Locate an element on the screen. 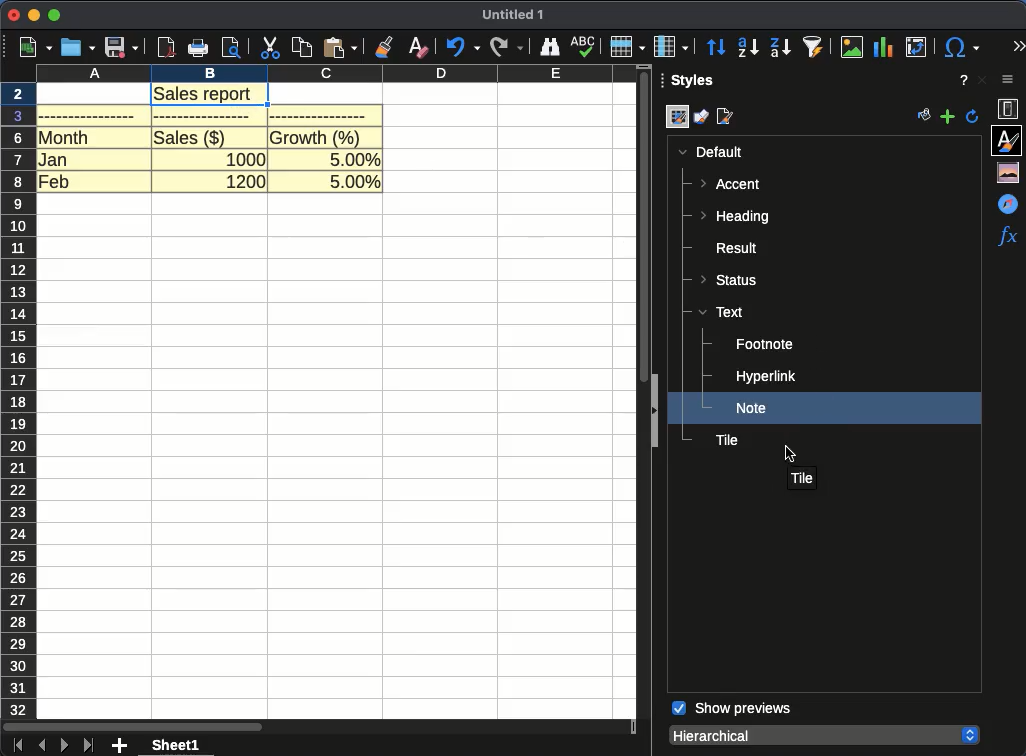  5.00% is located at coordinates (355, 183).